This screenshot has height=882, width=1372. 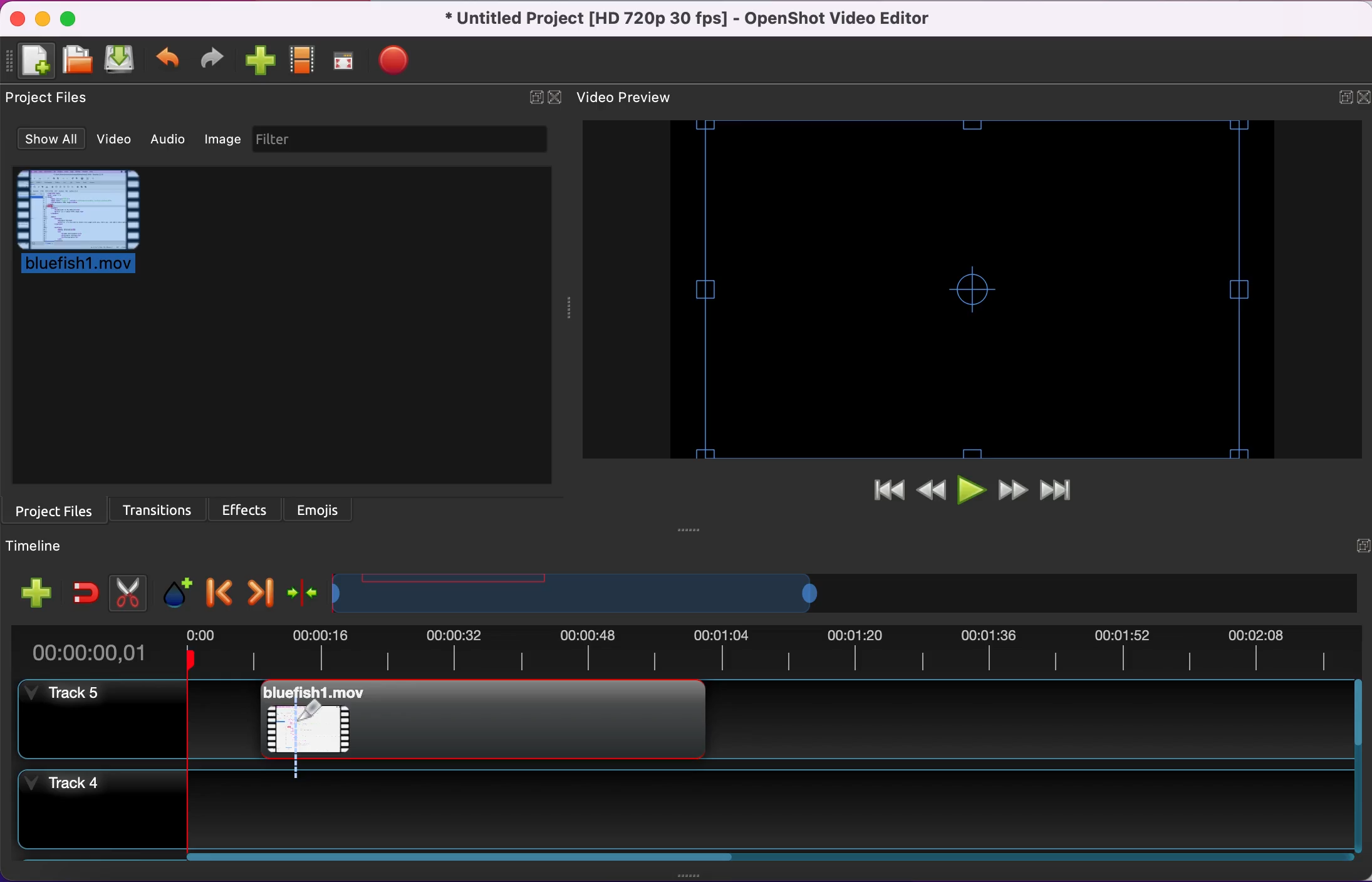 I want to click on video preview, so click(x=632, y=98).